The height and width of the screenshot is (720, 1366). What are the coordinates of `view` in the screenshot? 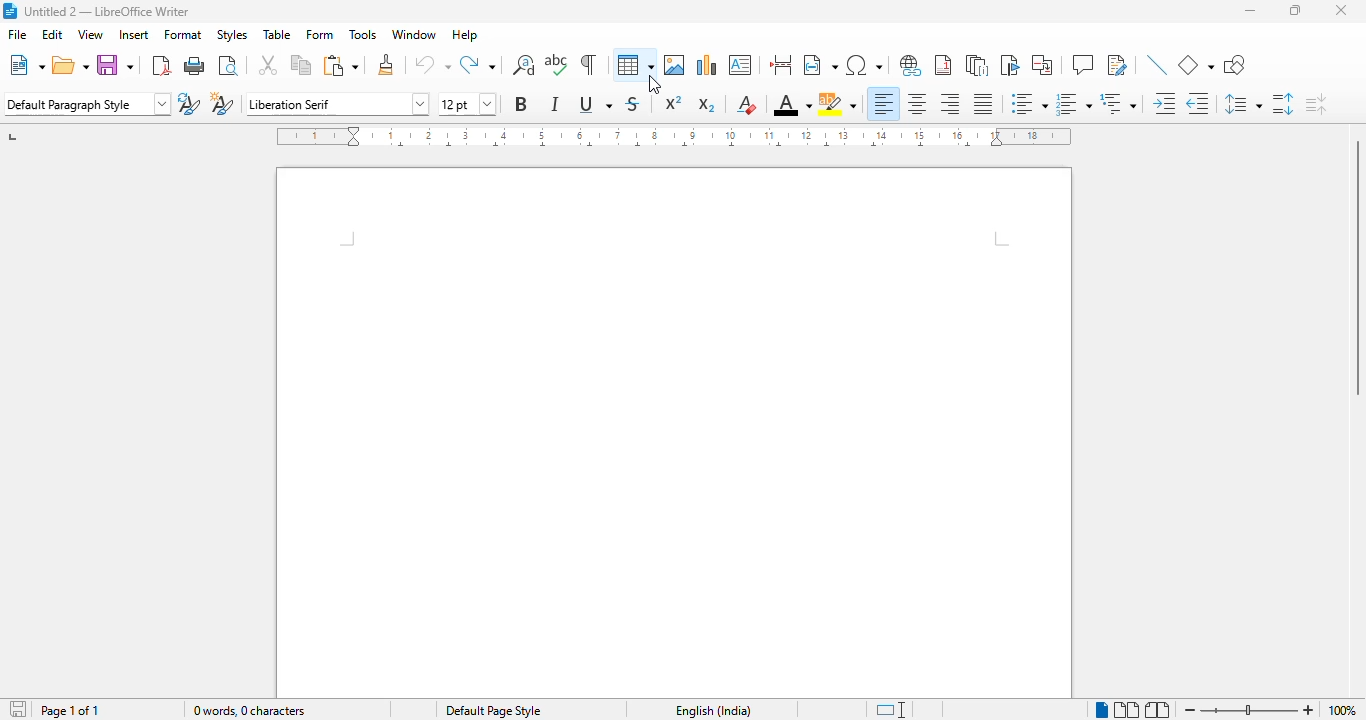 It's located at (90, 34).